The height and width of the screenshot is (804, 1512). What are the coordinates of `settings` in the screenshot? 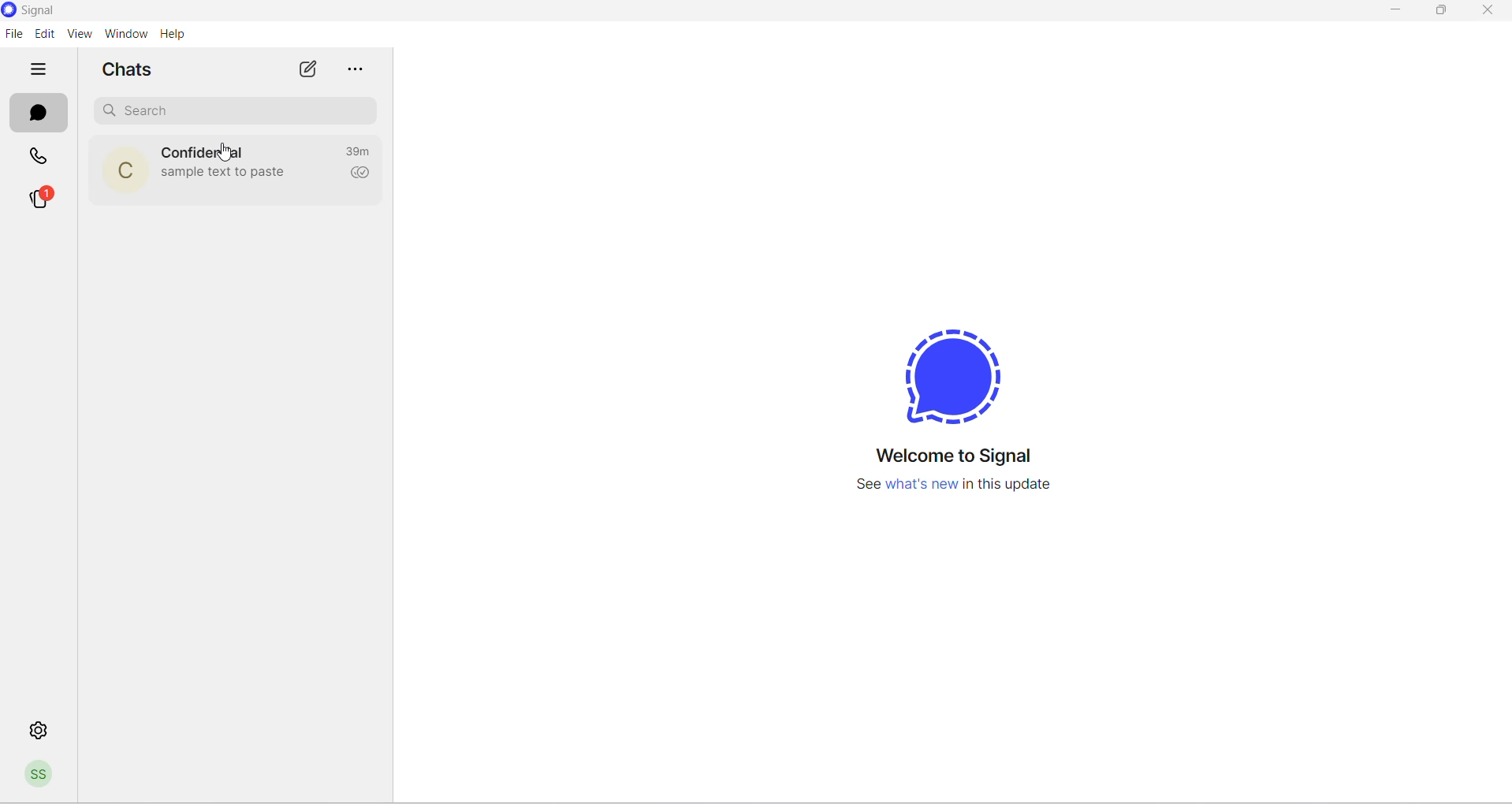 It's located at (35, 728).